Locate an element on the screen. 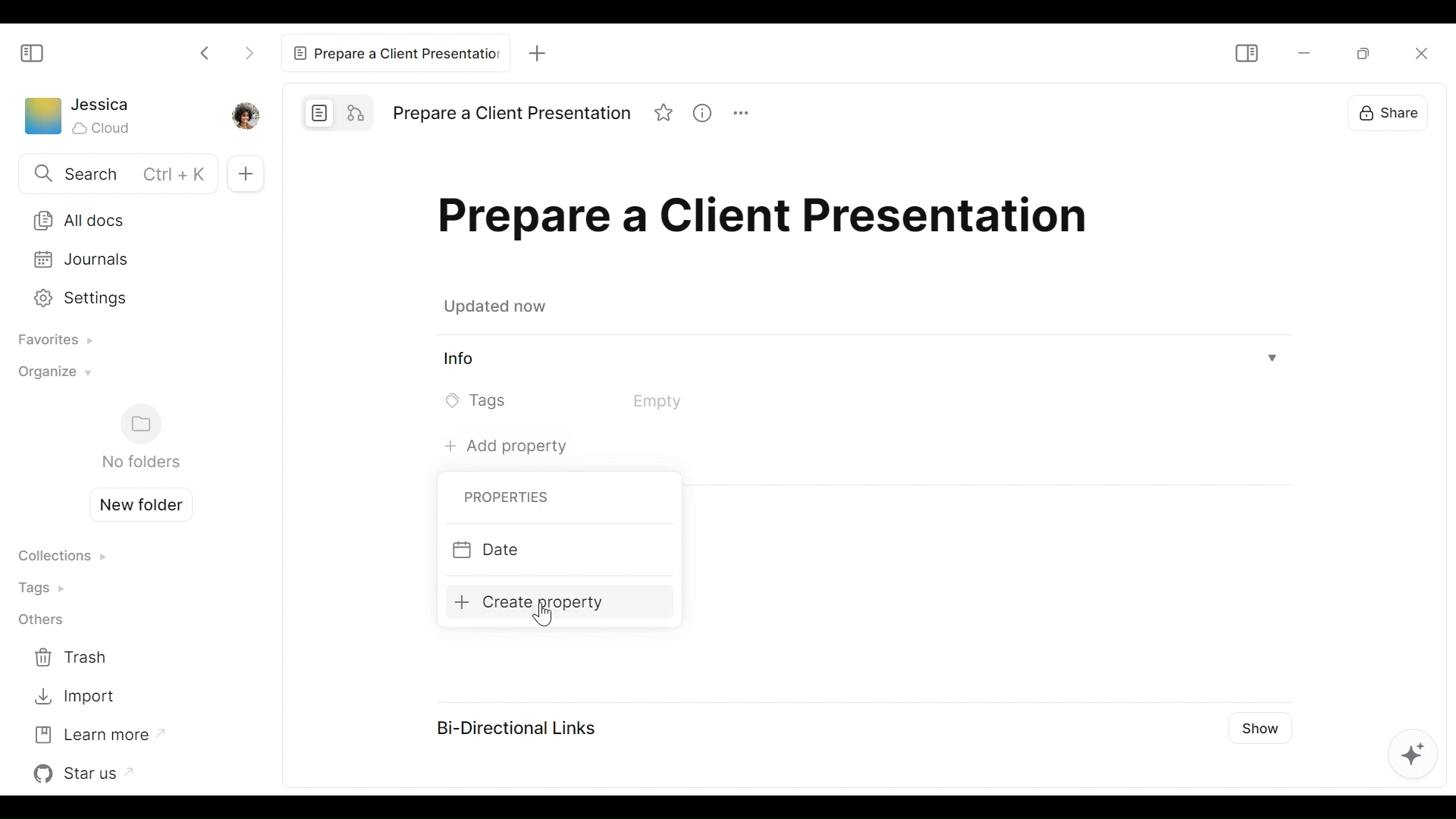 Image resolution: width=1456 pixels, height=819 pixels. More is located at coordinates (748, 115).